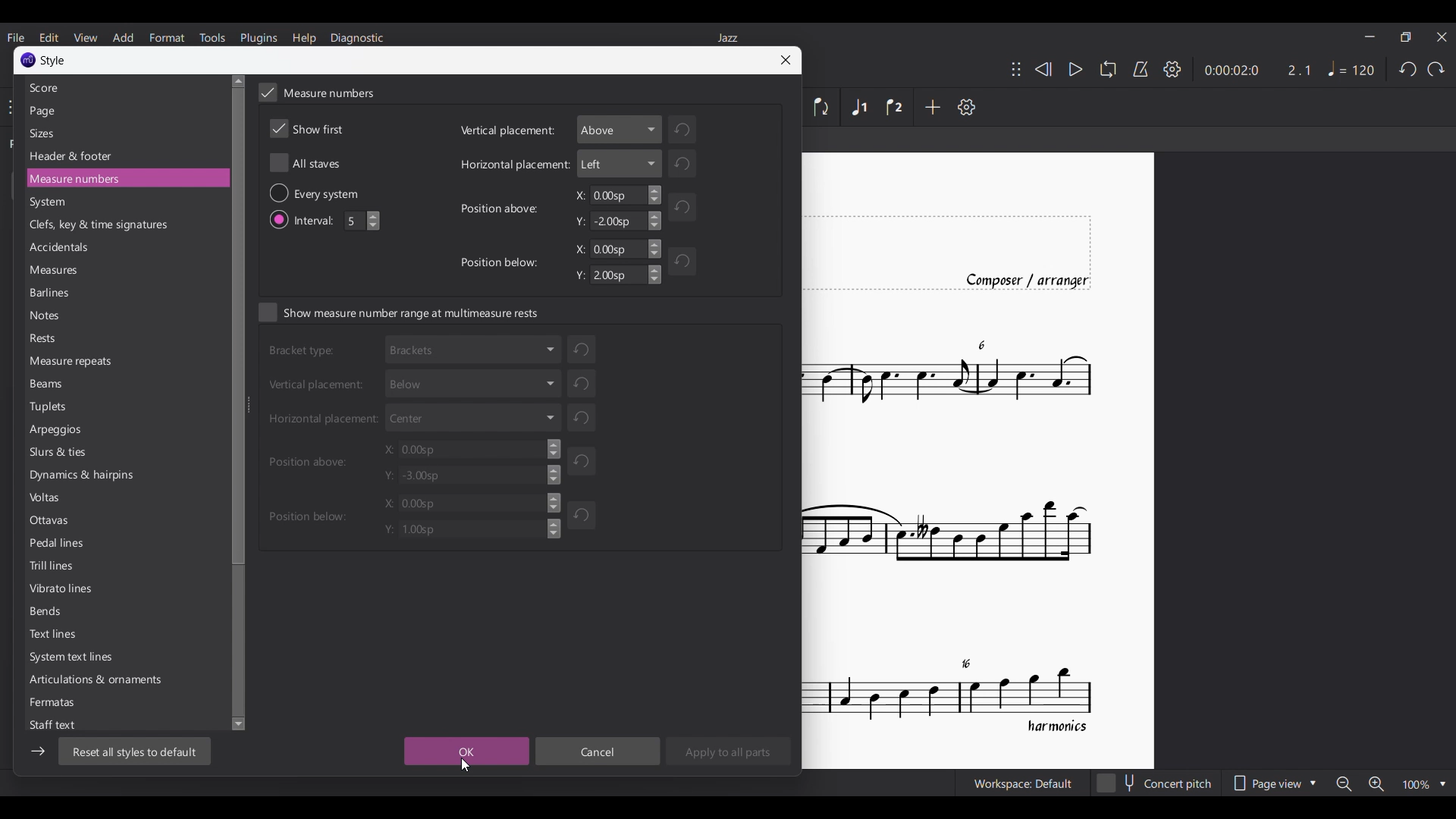 The height and width of the screenshot is (819, 1456). What do you see at coordinates (113, 679) in the screenshot?
I see `Articulation` at bounding box center [113, 679].